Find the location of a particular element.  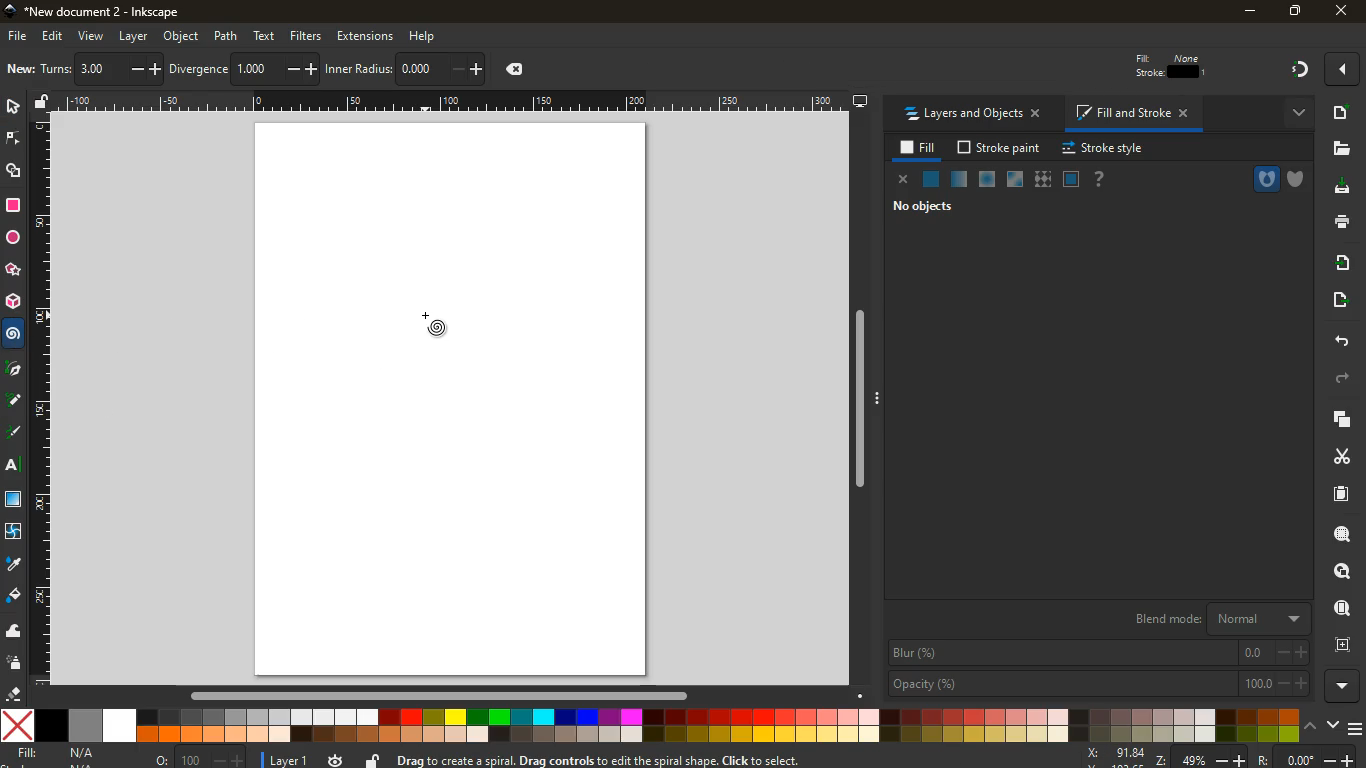

circle is located at coordinates (15, 240).